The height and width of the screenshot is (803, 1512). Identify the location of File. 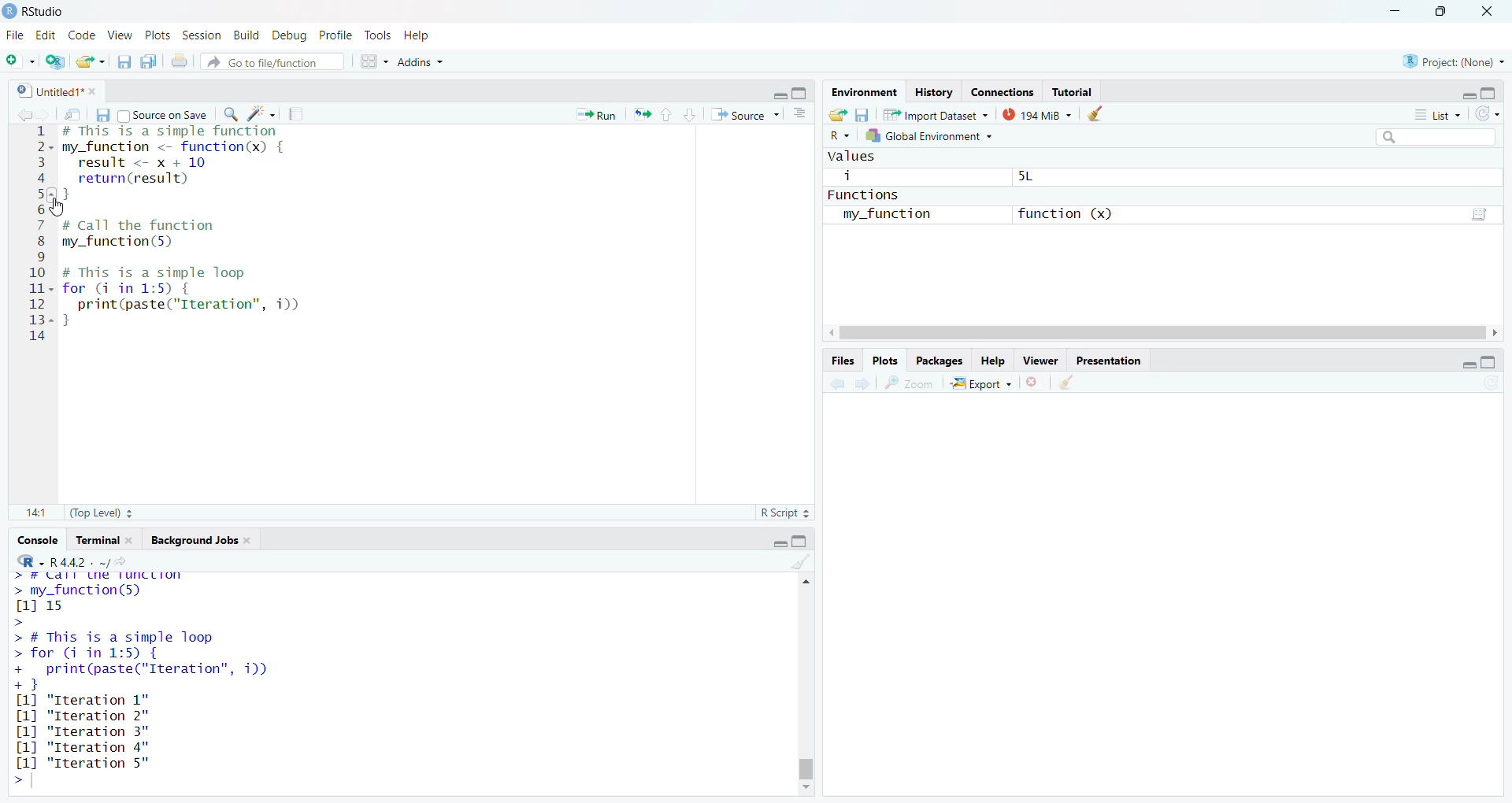
(15, 35).